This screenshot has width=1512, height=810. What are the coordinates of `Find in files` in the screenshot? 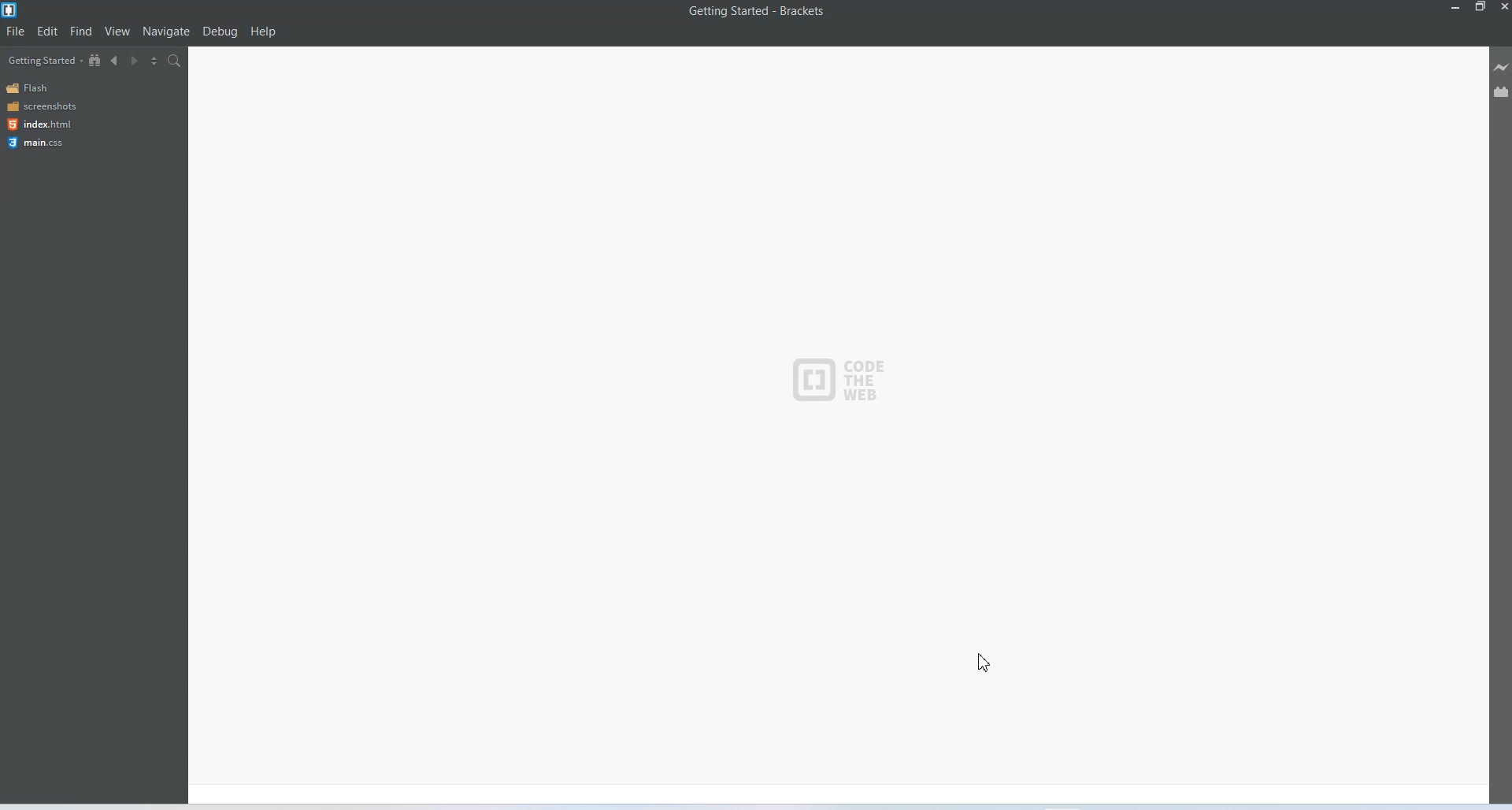 It's located at (175, 61).